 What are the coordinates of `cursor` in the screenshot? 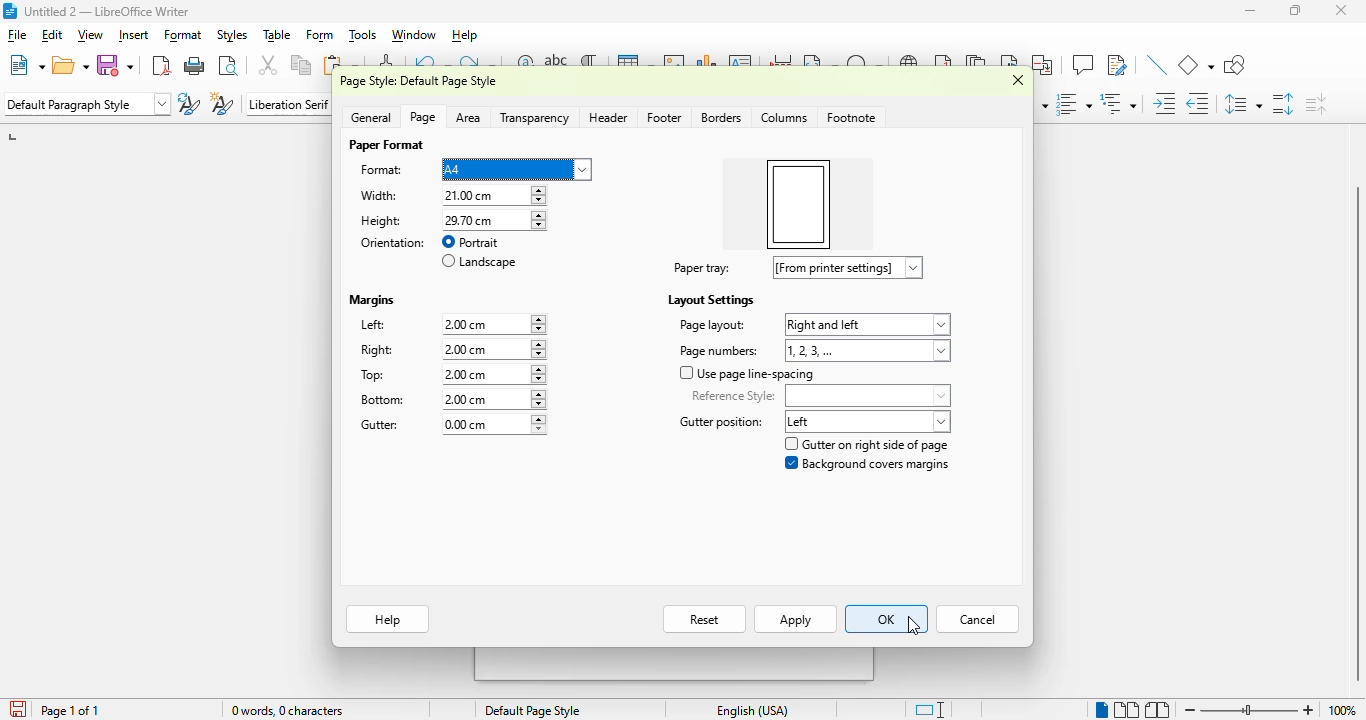 It's located at (914, 624).